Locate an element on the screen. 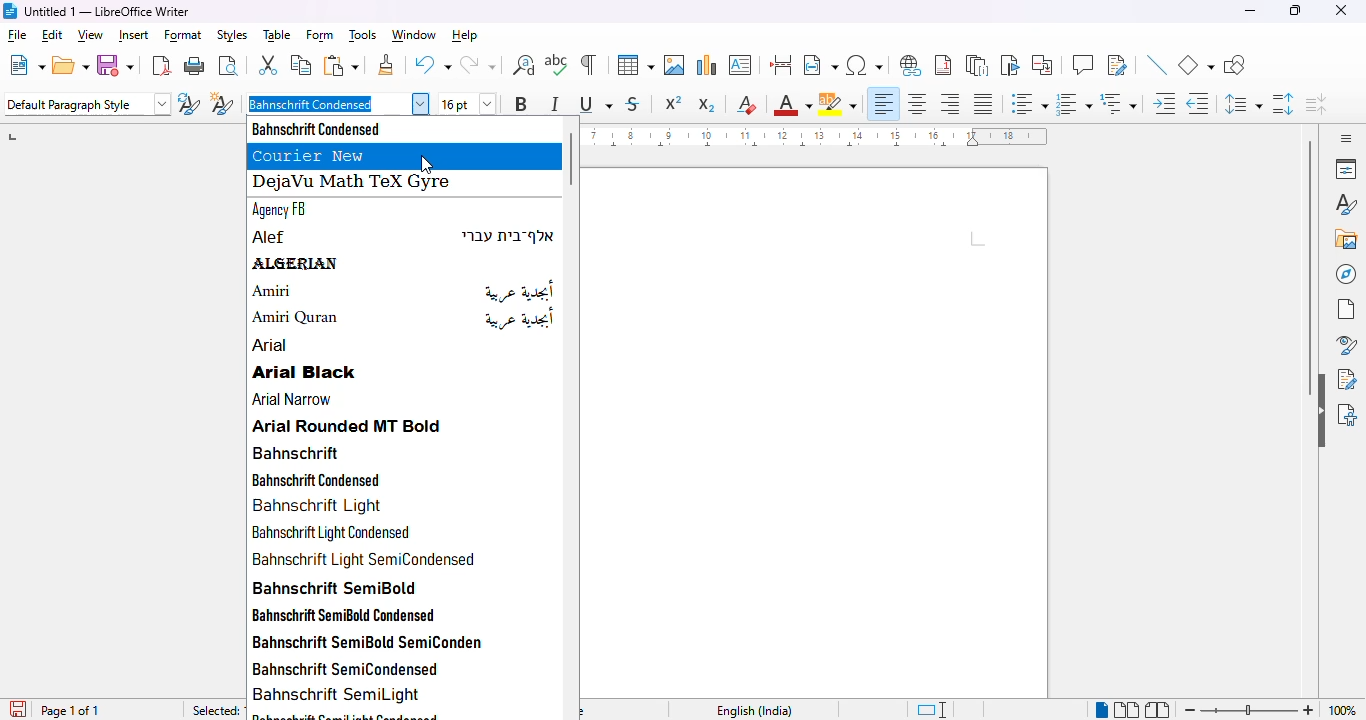  page is located at coordinates (1347, 309).